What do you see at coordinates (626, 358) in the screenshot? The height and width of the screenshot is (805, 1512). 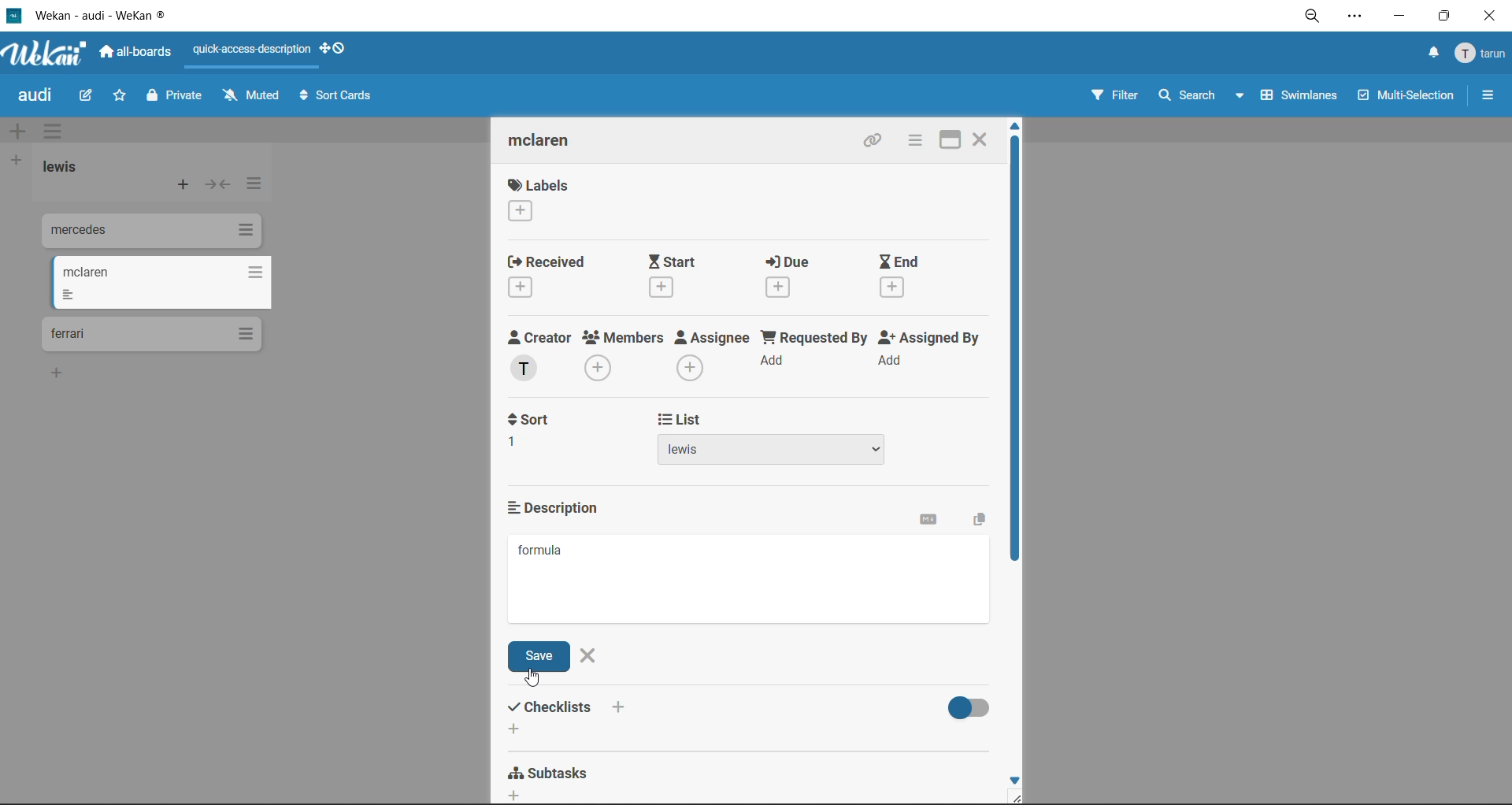 I see `members` at bounding box center [626, 358].